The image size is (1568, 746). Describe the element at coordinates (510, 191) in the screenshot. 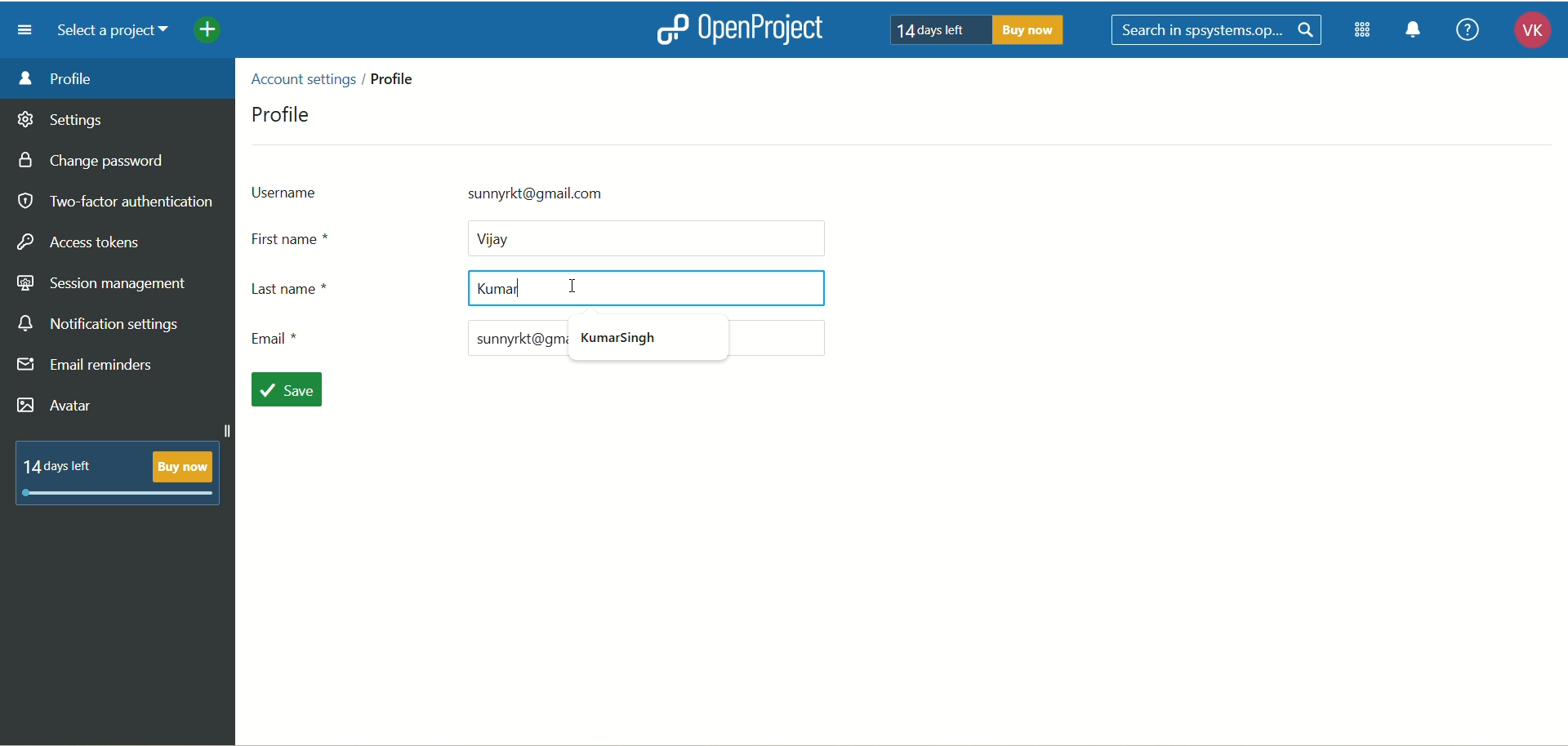

I see `ussername` at that location.